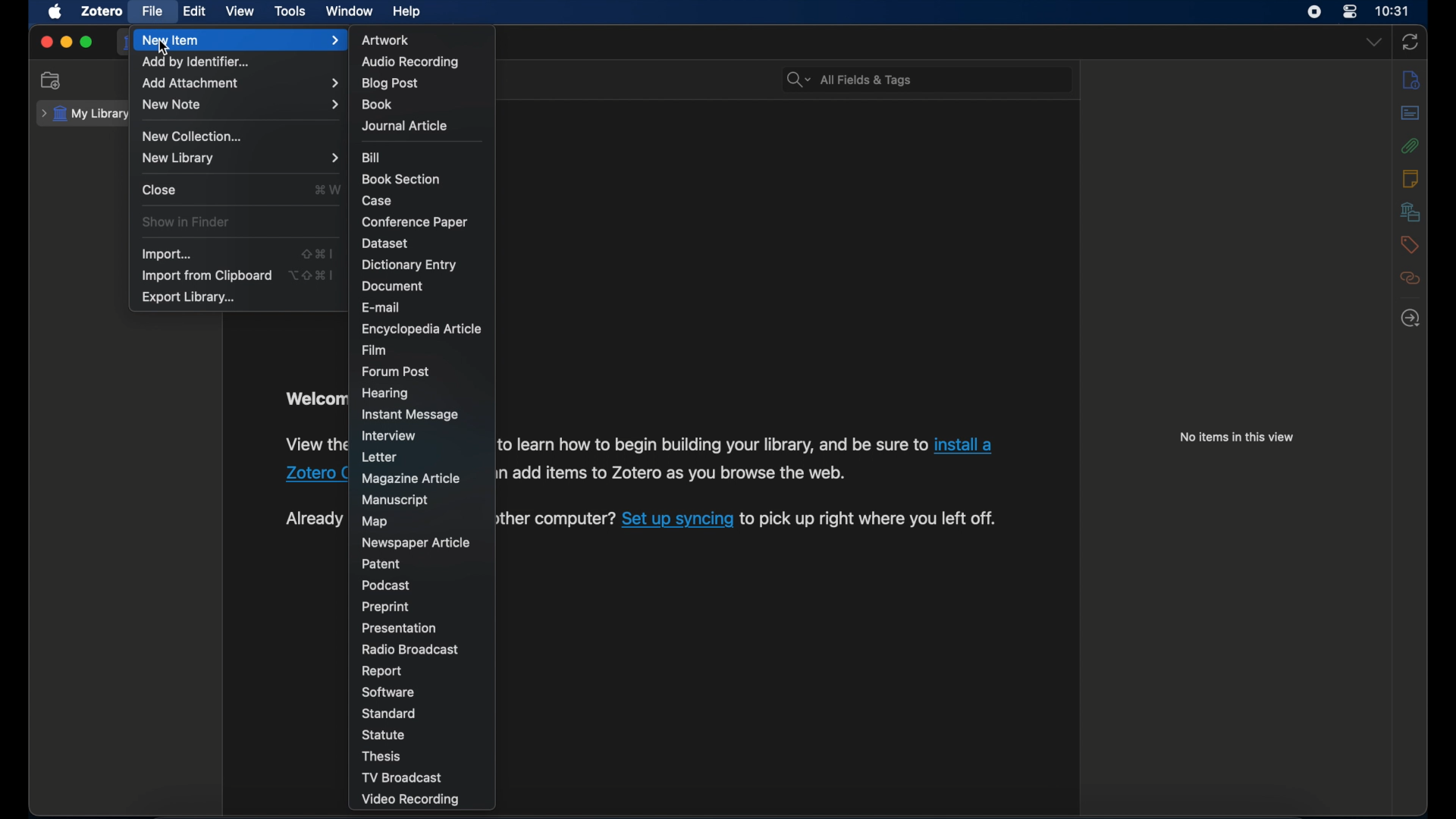 This screenshot has width=1456, height=819. I want to click on conference paper, so click(414, 222).